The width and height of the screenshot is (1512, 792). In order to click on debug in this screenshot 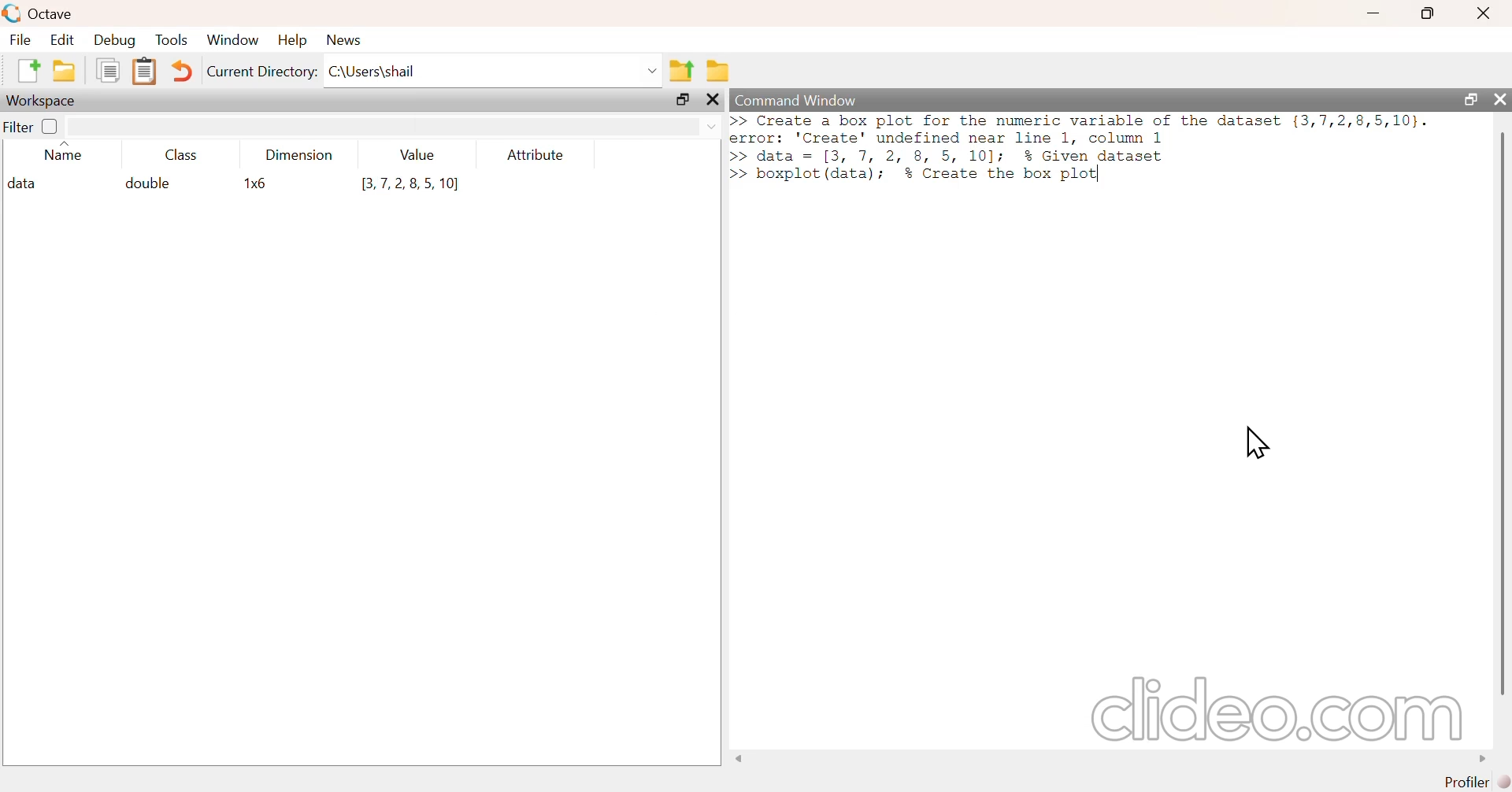, I will do `click(115, 39)`.